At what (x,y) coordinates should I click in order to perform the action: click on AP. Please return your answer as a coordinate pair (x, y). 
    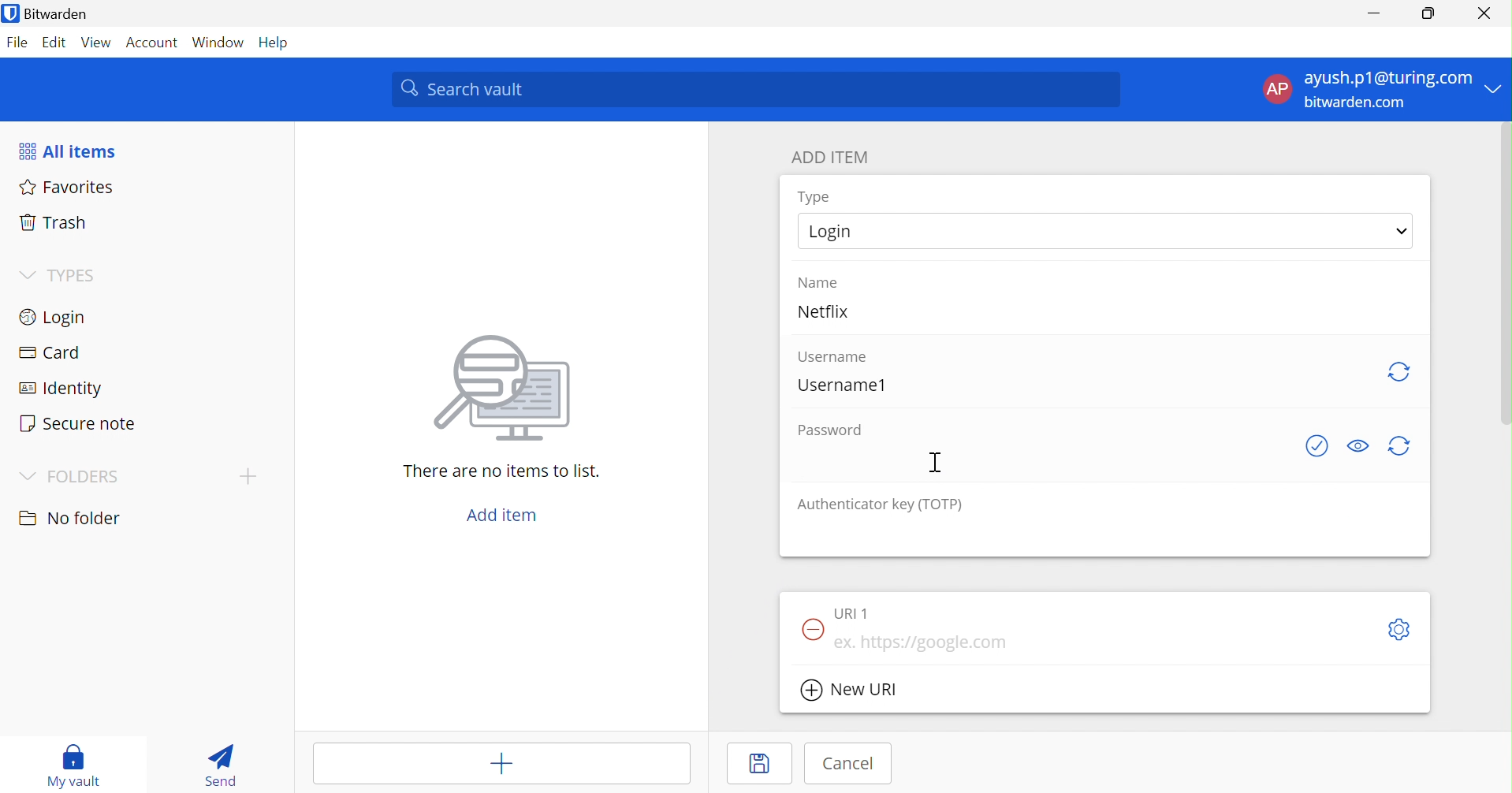
    Looking at the image, I should click on (1277, 89).